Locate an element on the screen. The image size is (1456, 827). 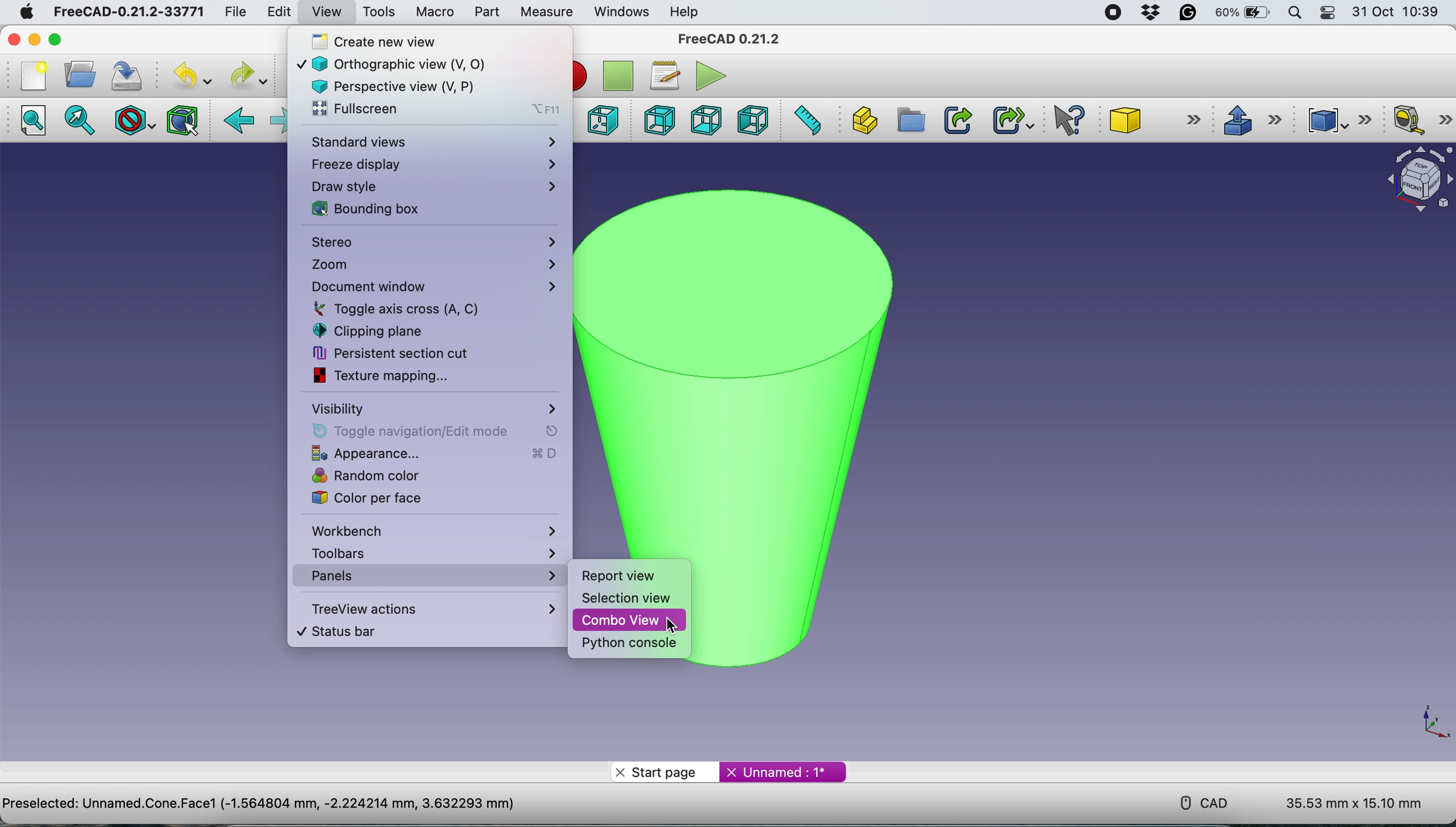
appearance is located at coordinates (430, 454).